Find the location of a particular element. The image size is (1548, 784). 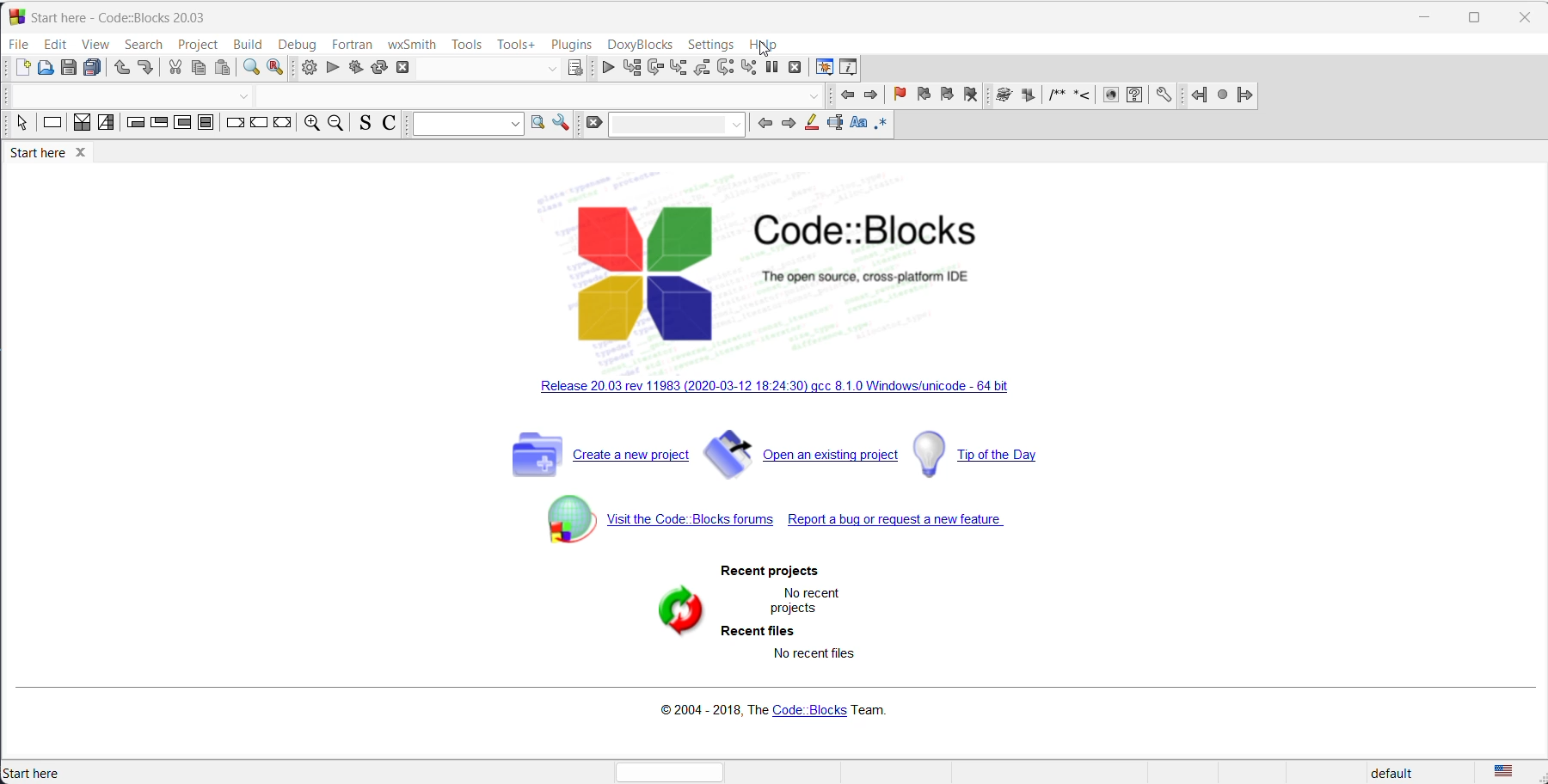

new file is located at coordinates (19, 70).